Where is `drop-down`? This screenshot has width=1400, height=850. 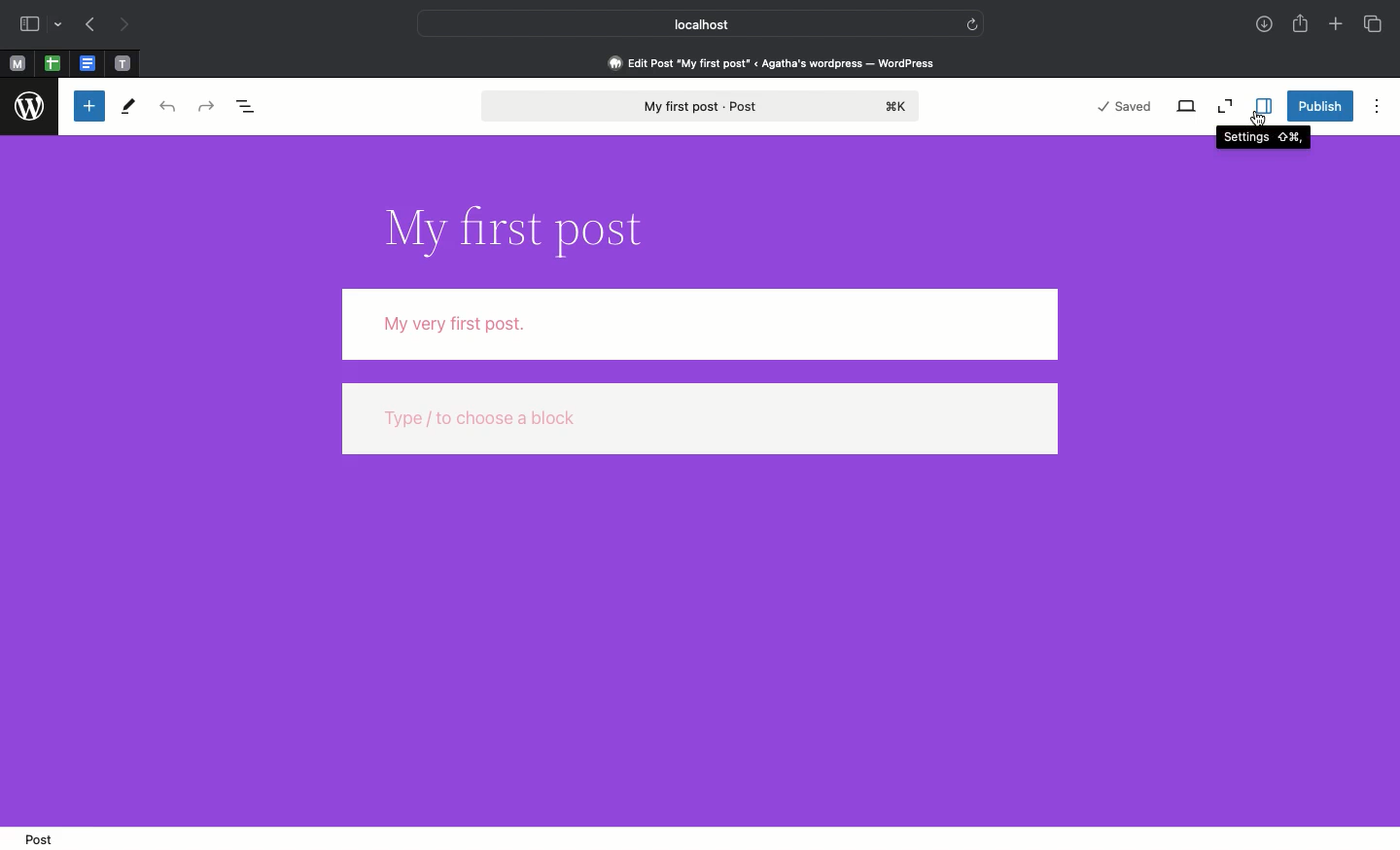
drop-down is located at coordinates (60, 22).